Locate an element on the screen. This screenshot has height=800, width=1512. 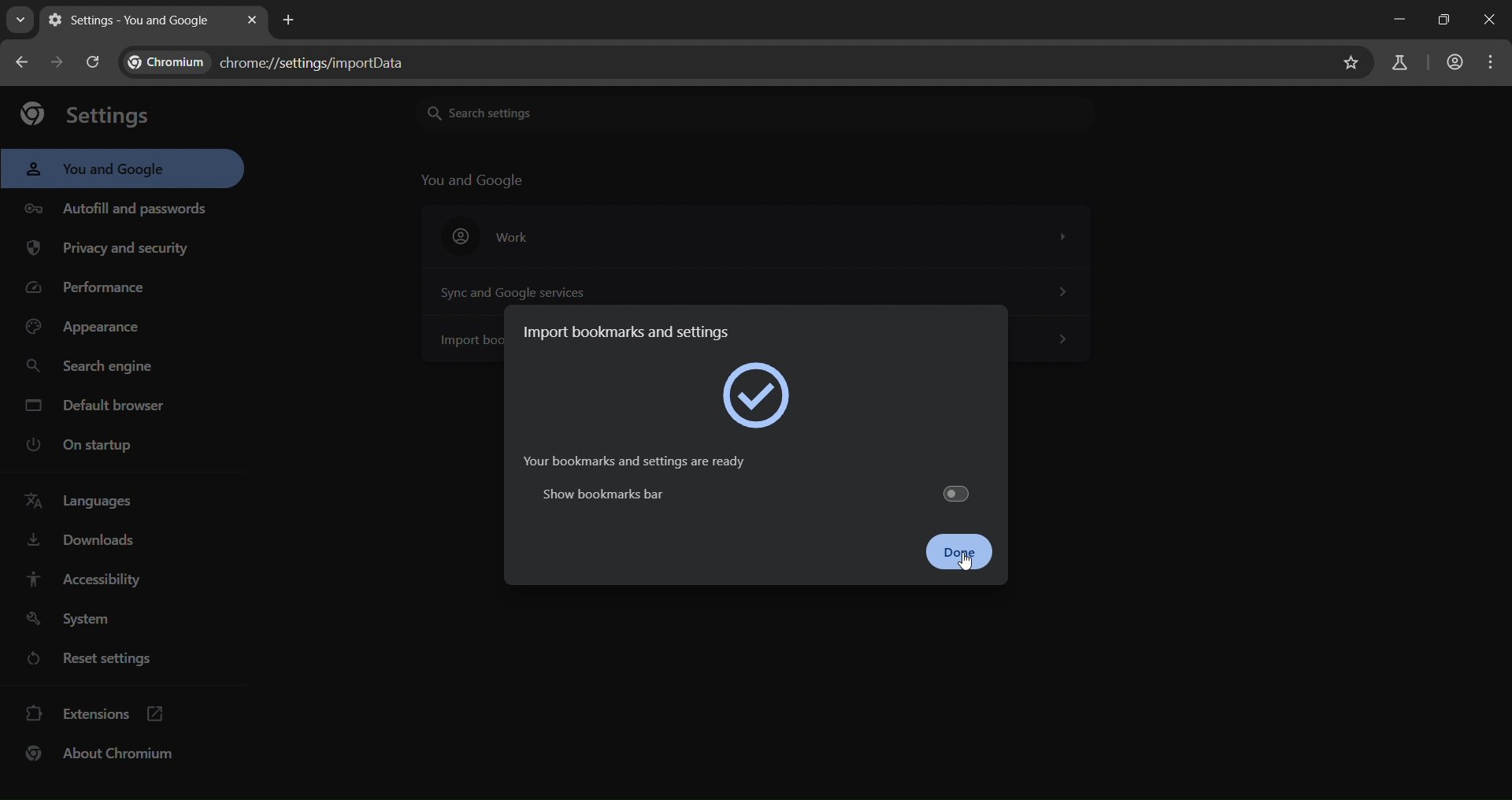
on startup is located at coordinates (77, 446).